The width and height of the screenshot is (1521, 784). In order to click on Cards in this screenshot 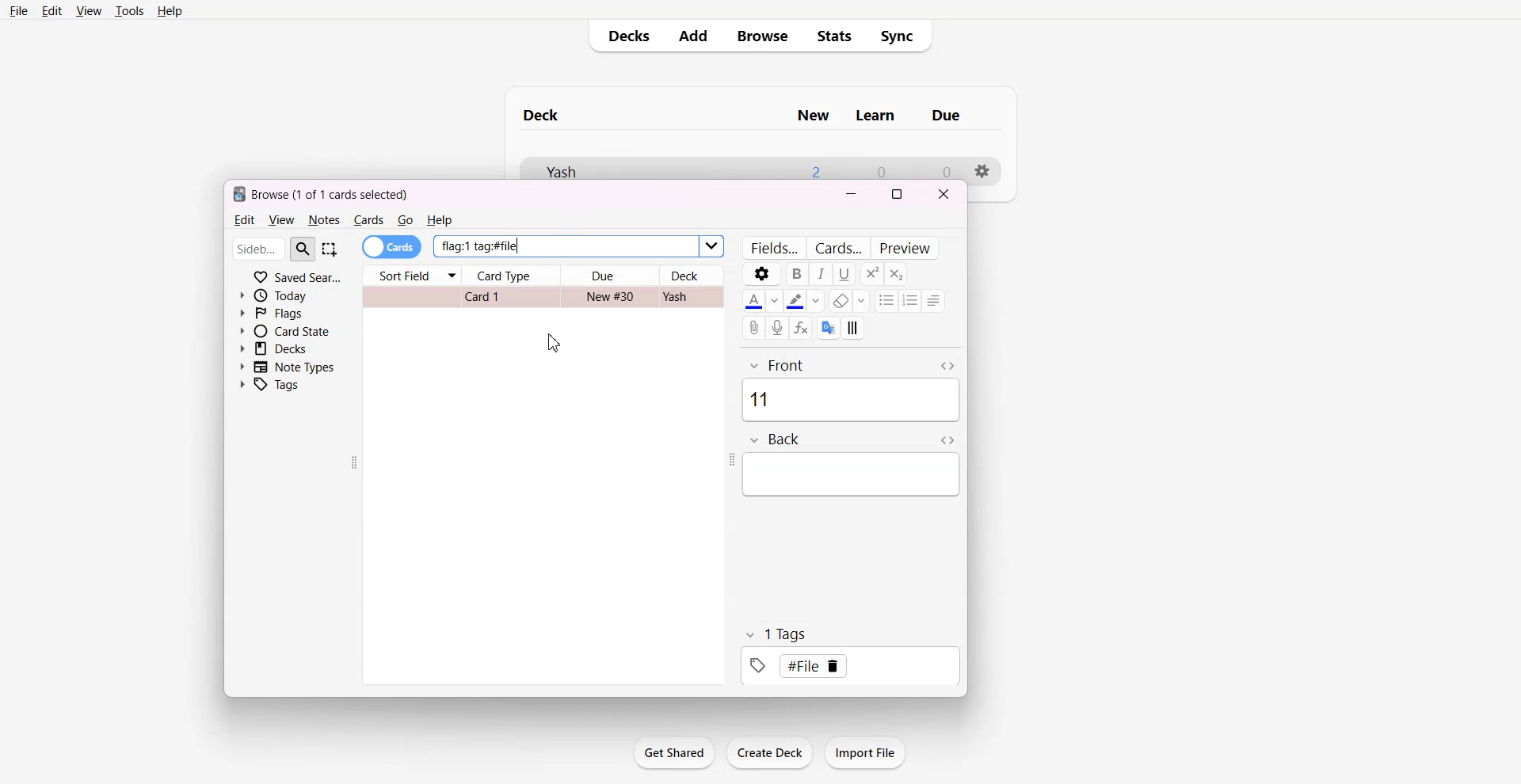, I will do `click(392, 247)`.